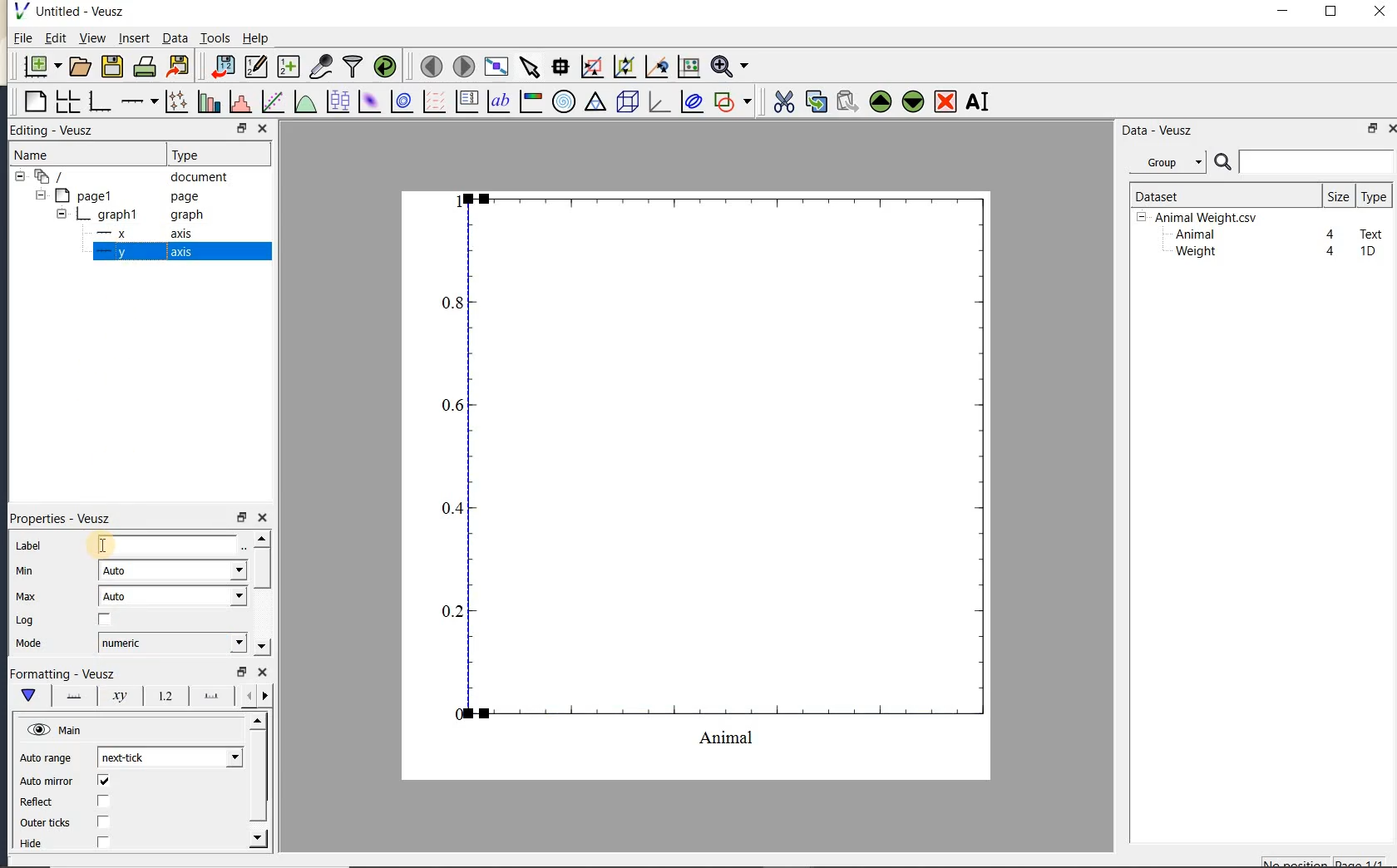 This screenshot has height=868, width=1397. I want to click on next click, so click(170, 757).